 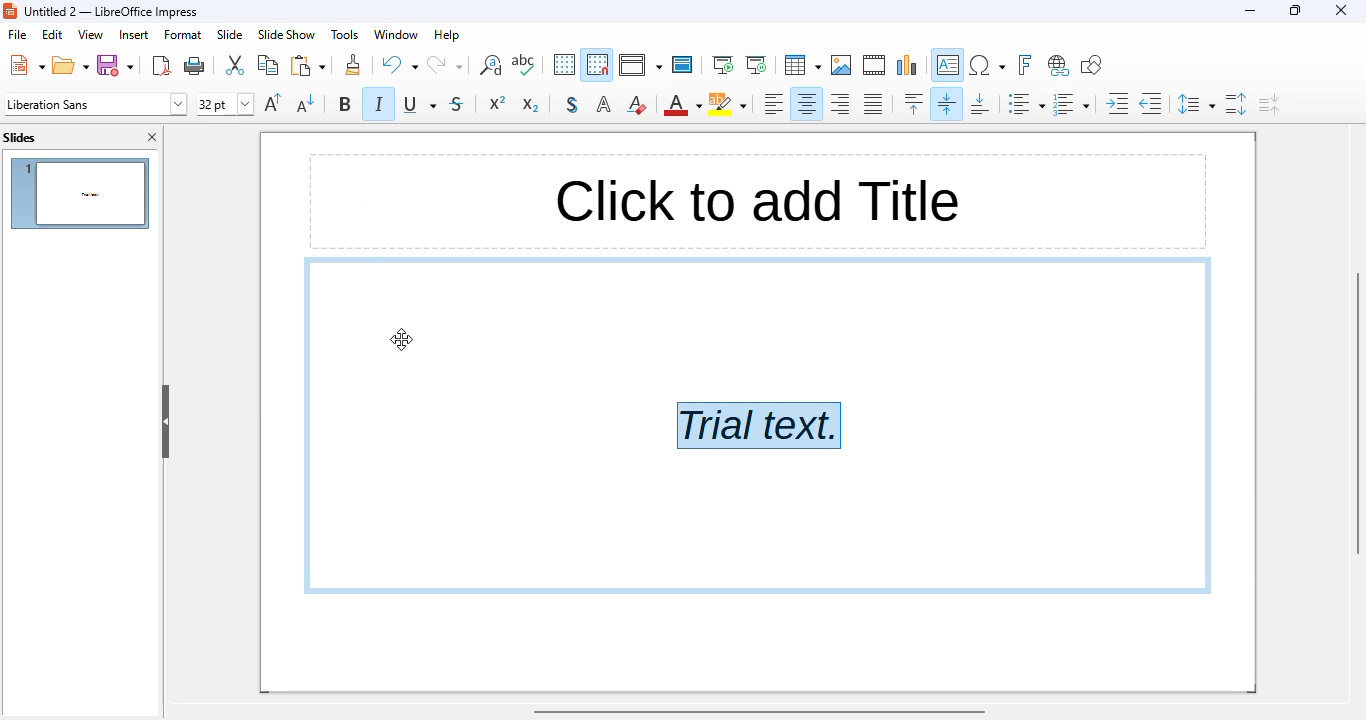 What do you see at coordinates (163, 65) in the screenshot?
I see `export directly as PDF` at bounding box center [163, 65].